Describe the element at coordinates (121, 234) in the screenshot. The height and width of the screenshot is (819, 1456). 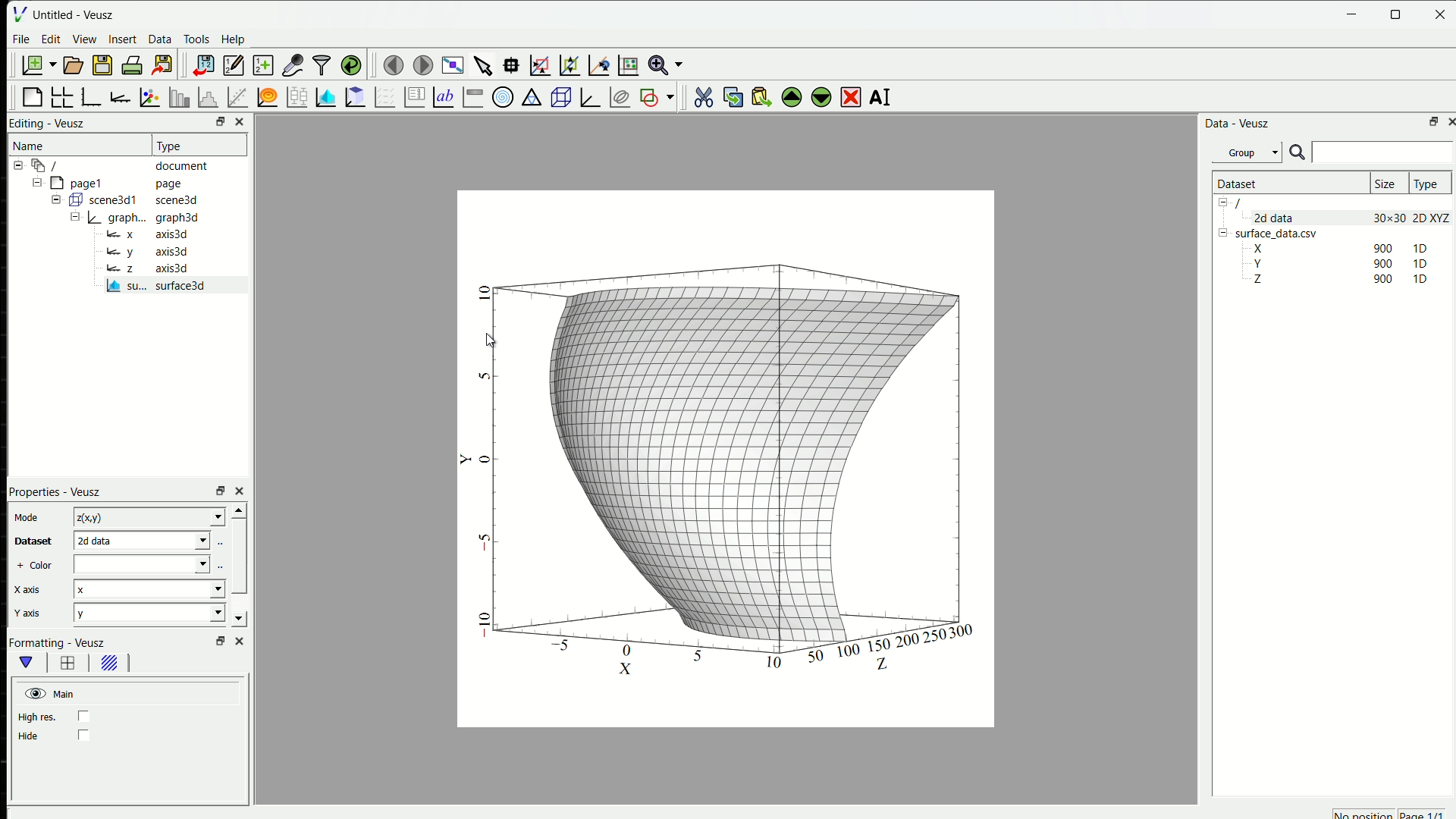
I see `x` at that location.